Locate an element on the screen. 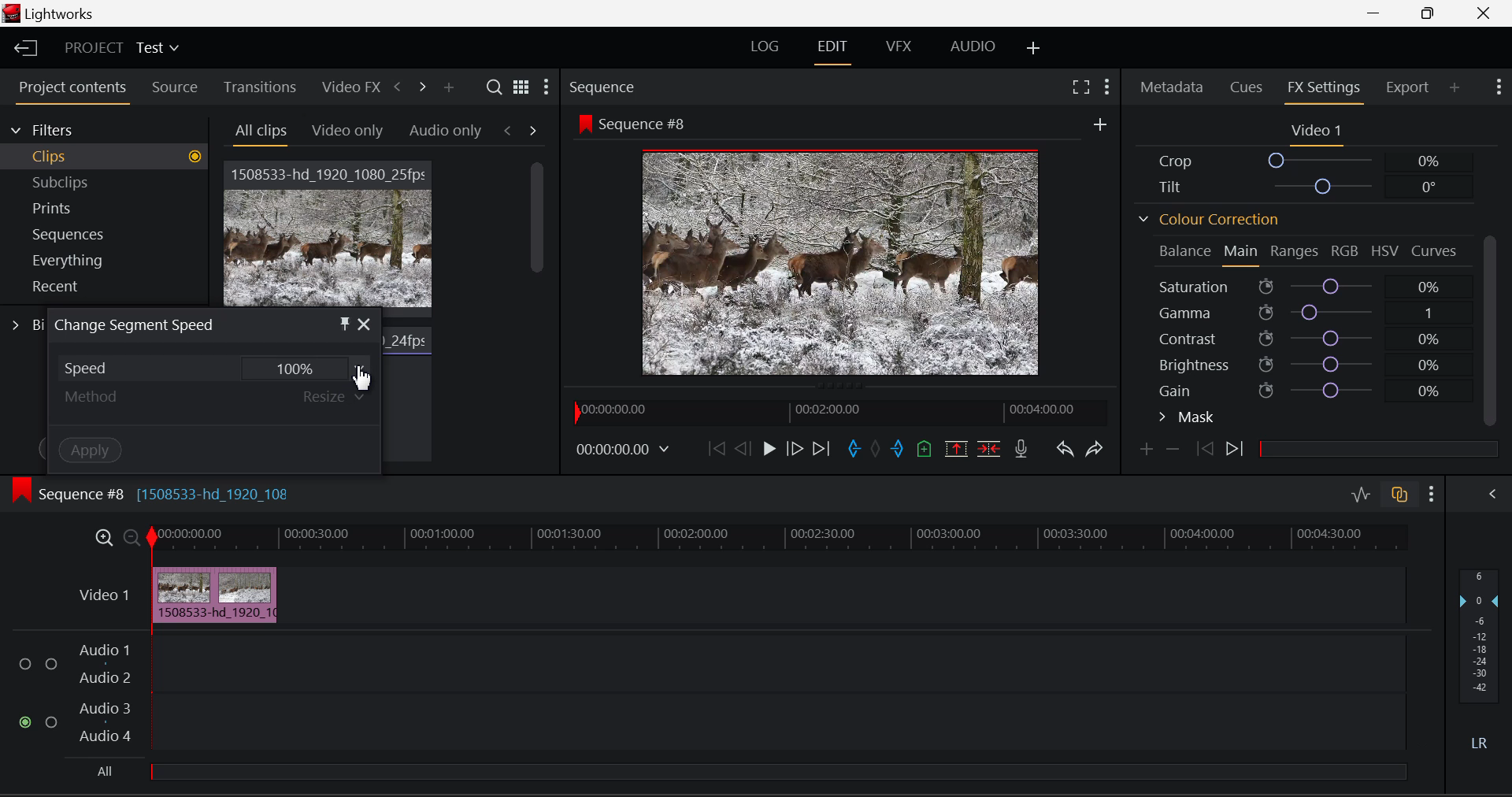 This screenshot has height=797, width=1512. LOG is located at coordinates (767, 46).